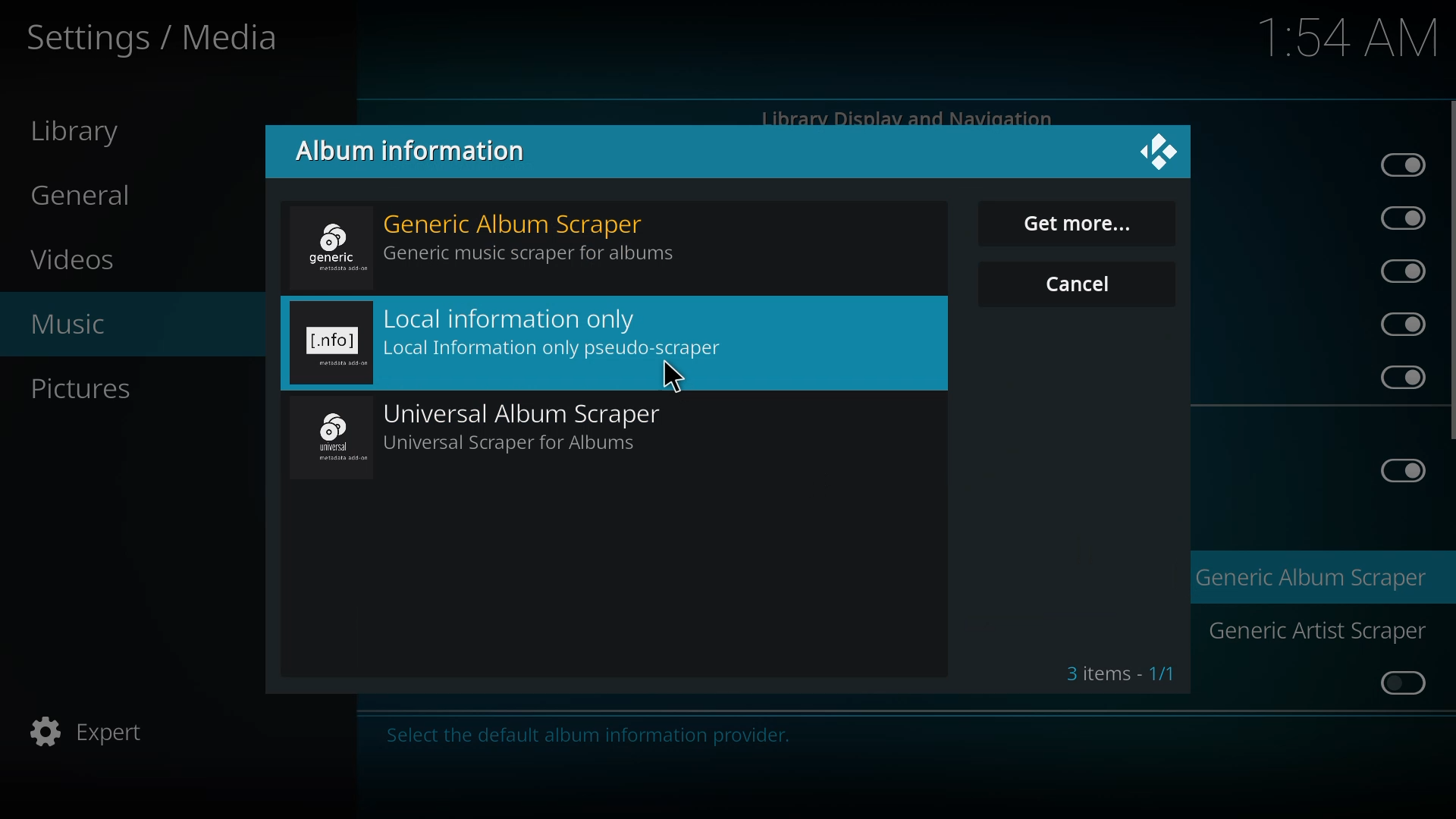  I want to click on info, so click(591, 736).